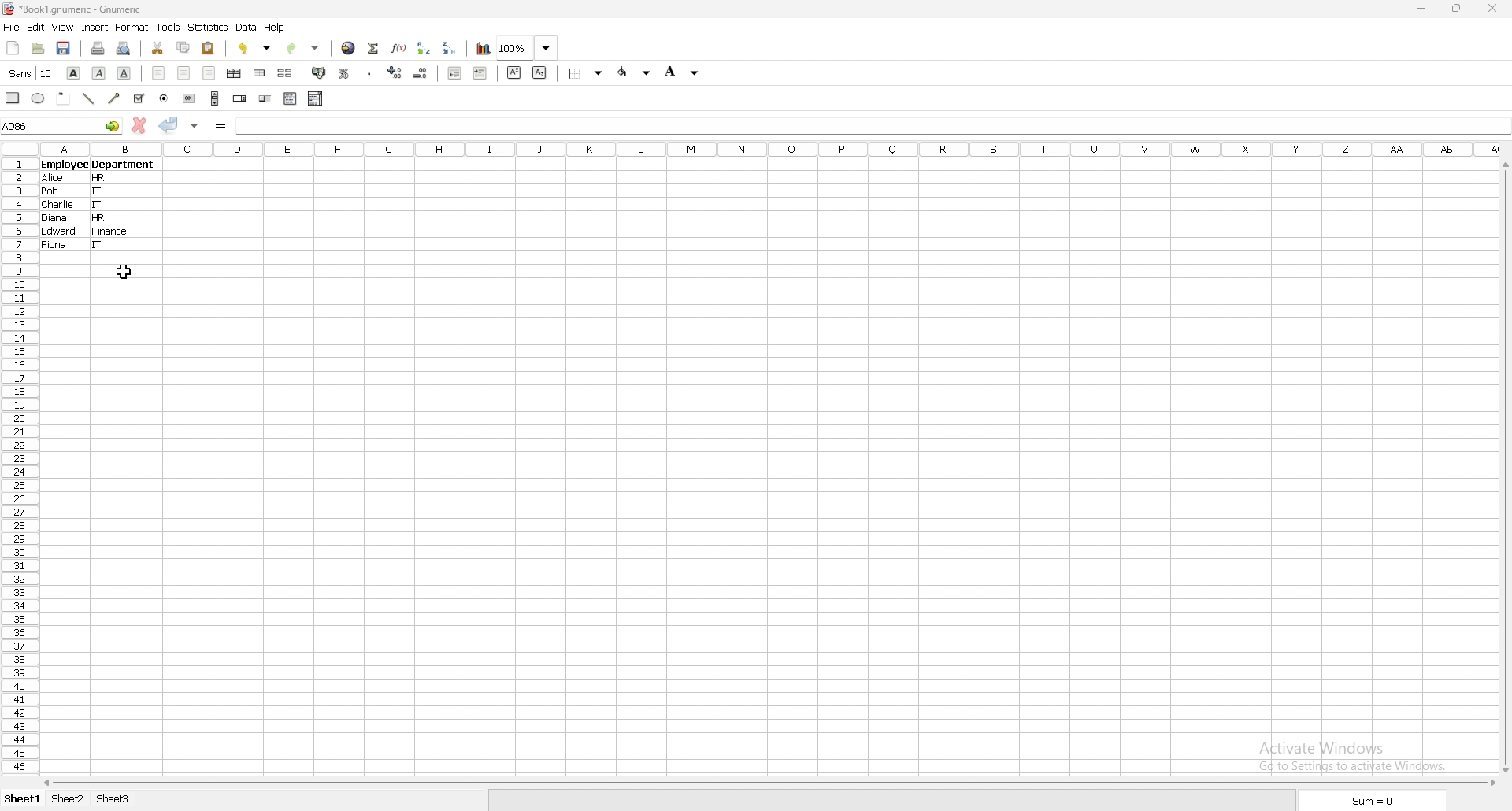  Describe the element at coordinates (53, 179) in the screenshot. I see `alice` at that location.